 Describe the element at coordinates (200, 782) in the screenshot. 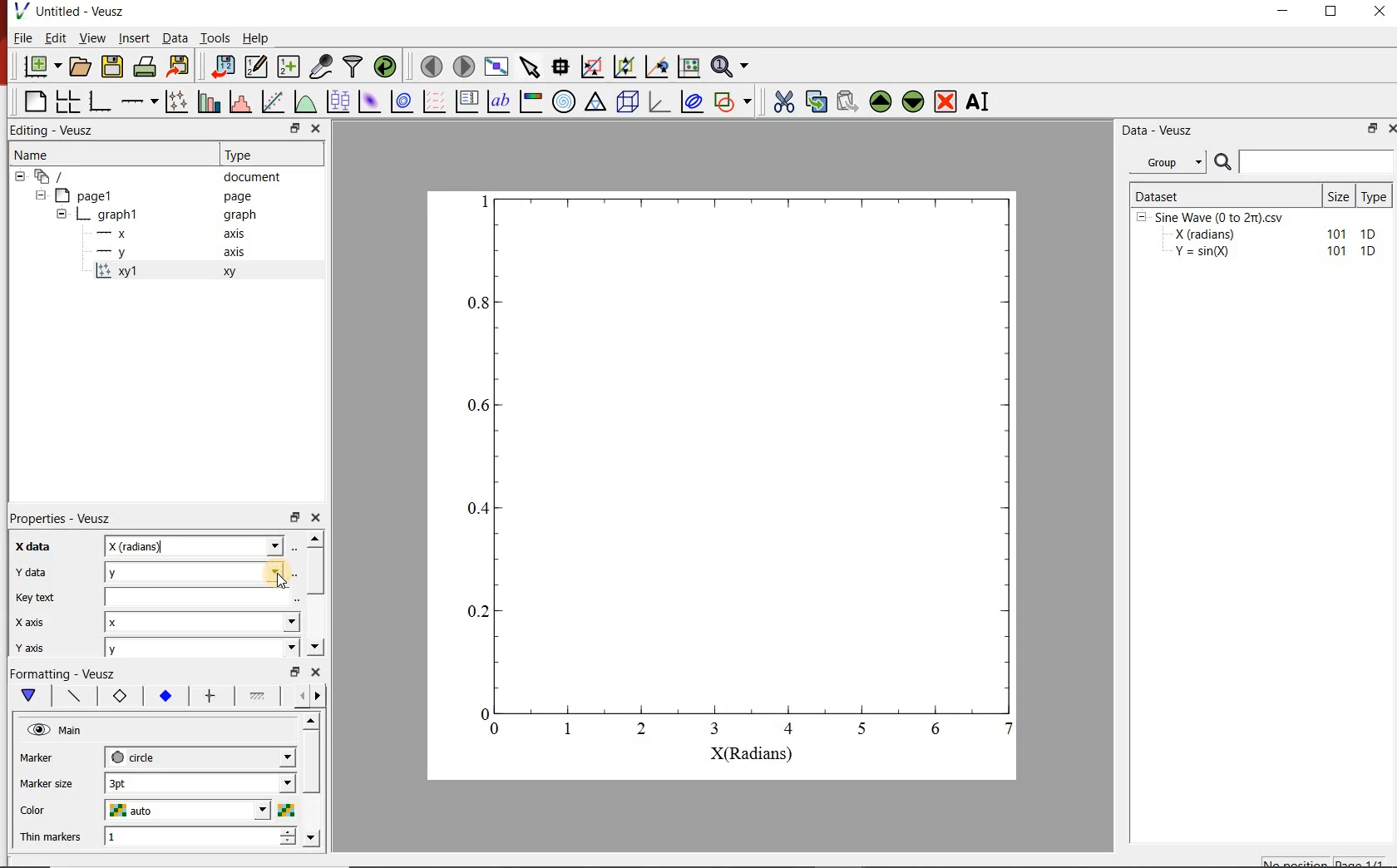

I see `3 pt` at that location.